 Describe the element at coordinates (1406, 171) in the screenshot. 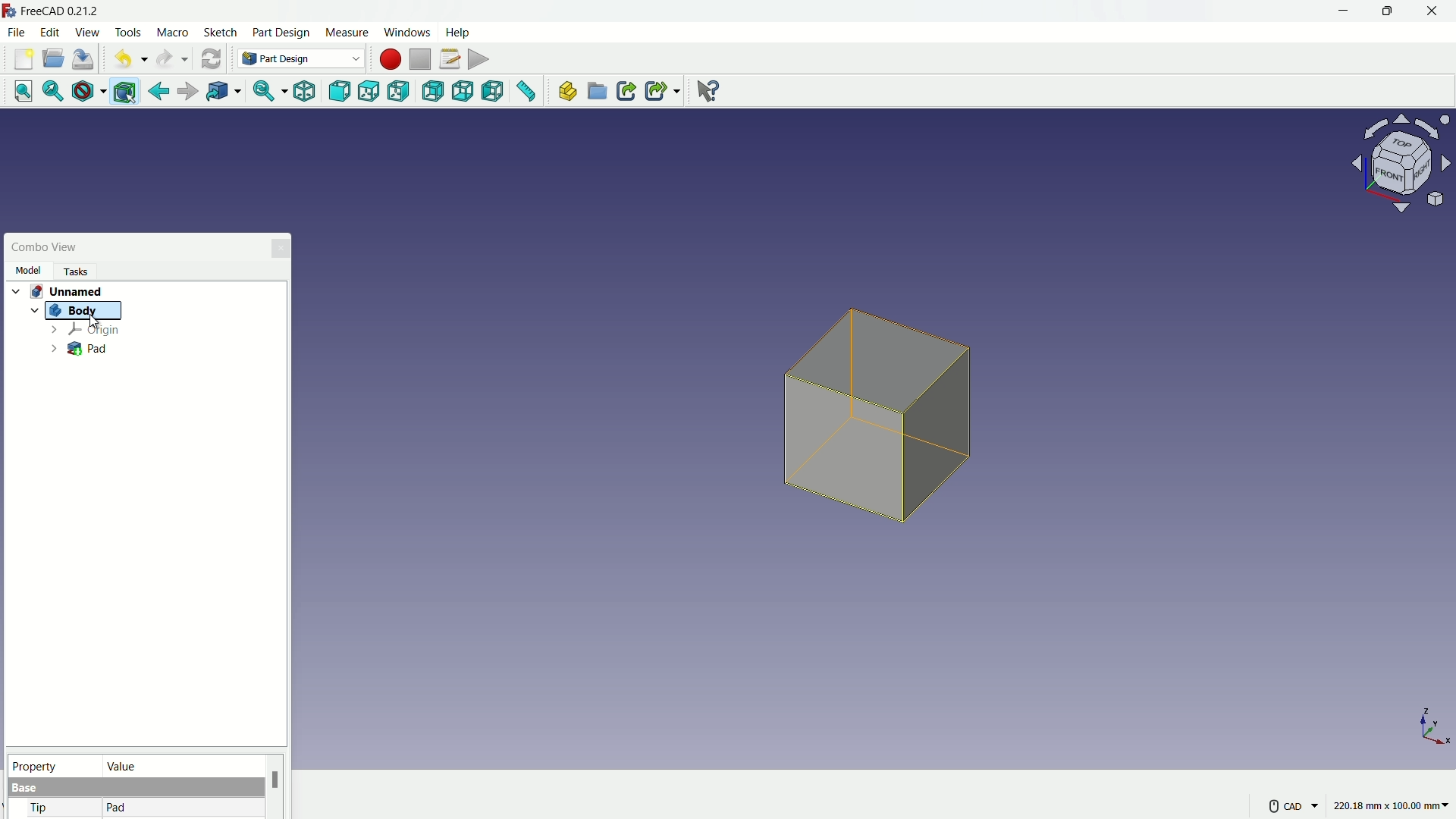

I see `preset viewpoint` at that location.